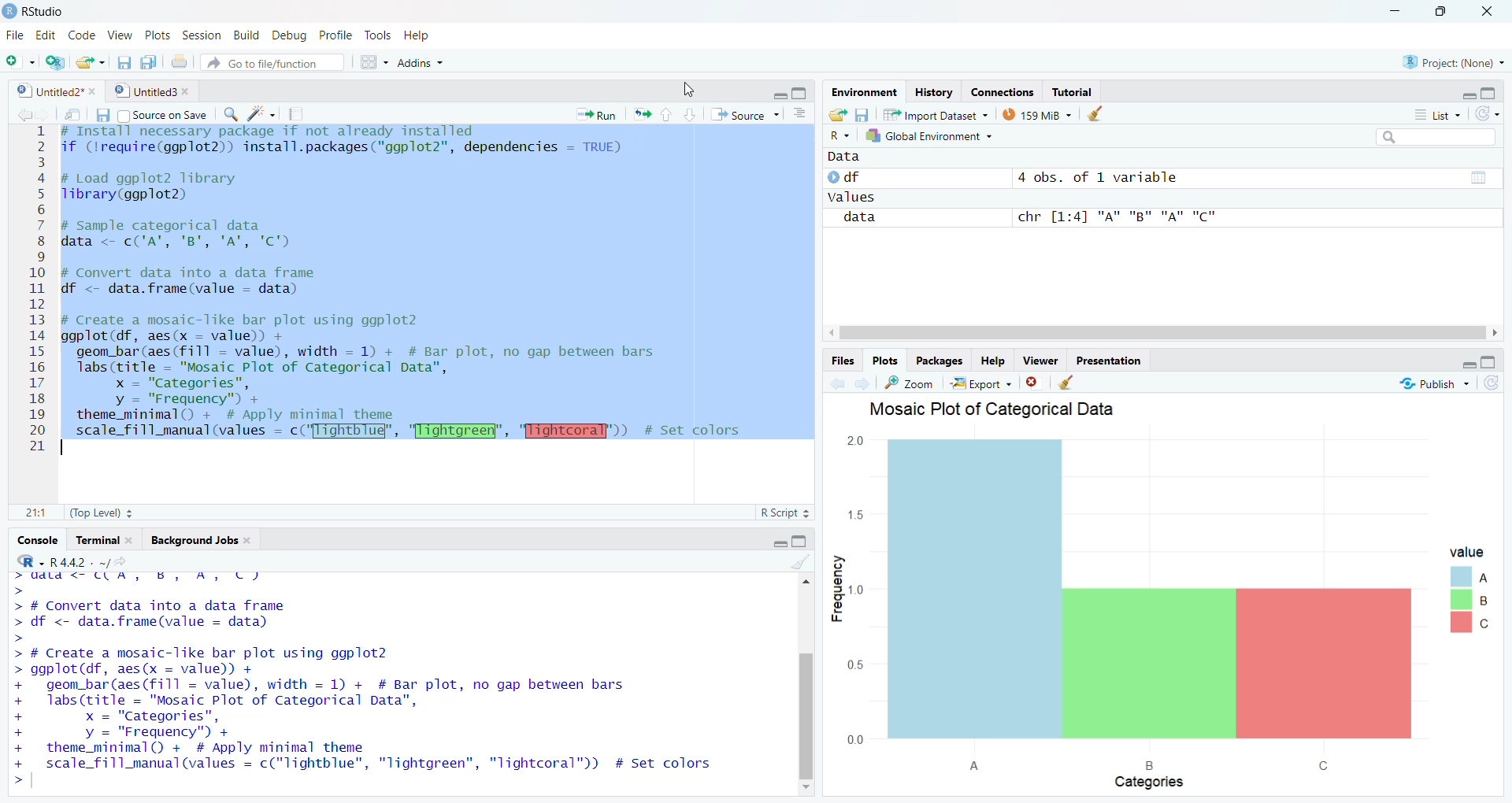 This screenshot has width=1512, height=803. What do you see at coordinates (850, 156) in the screenshot?
I see `Data` at bounding box center [850, 156].